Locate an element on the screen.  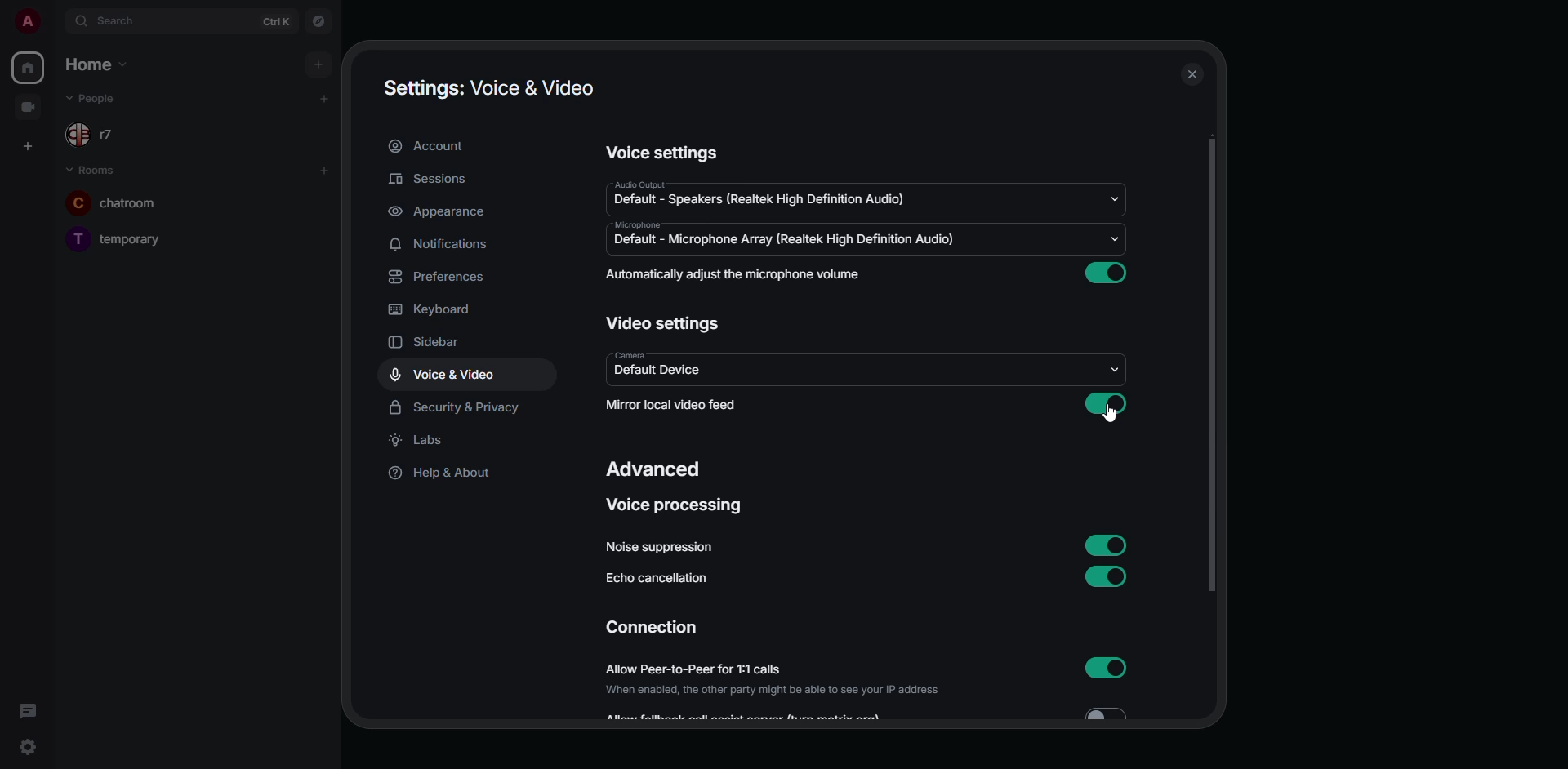
navigator is located at coordinates (320, 22).